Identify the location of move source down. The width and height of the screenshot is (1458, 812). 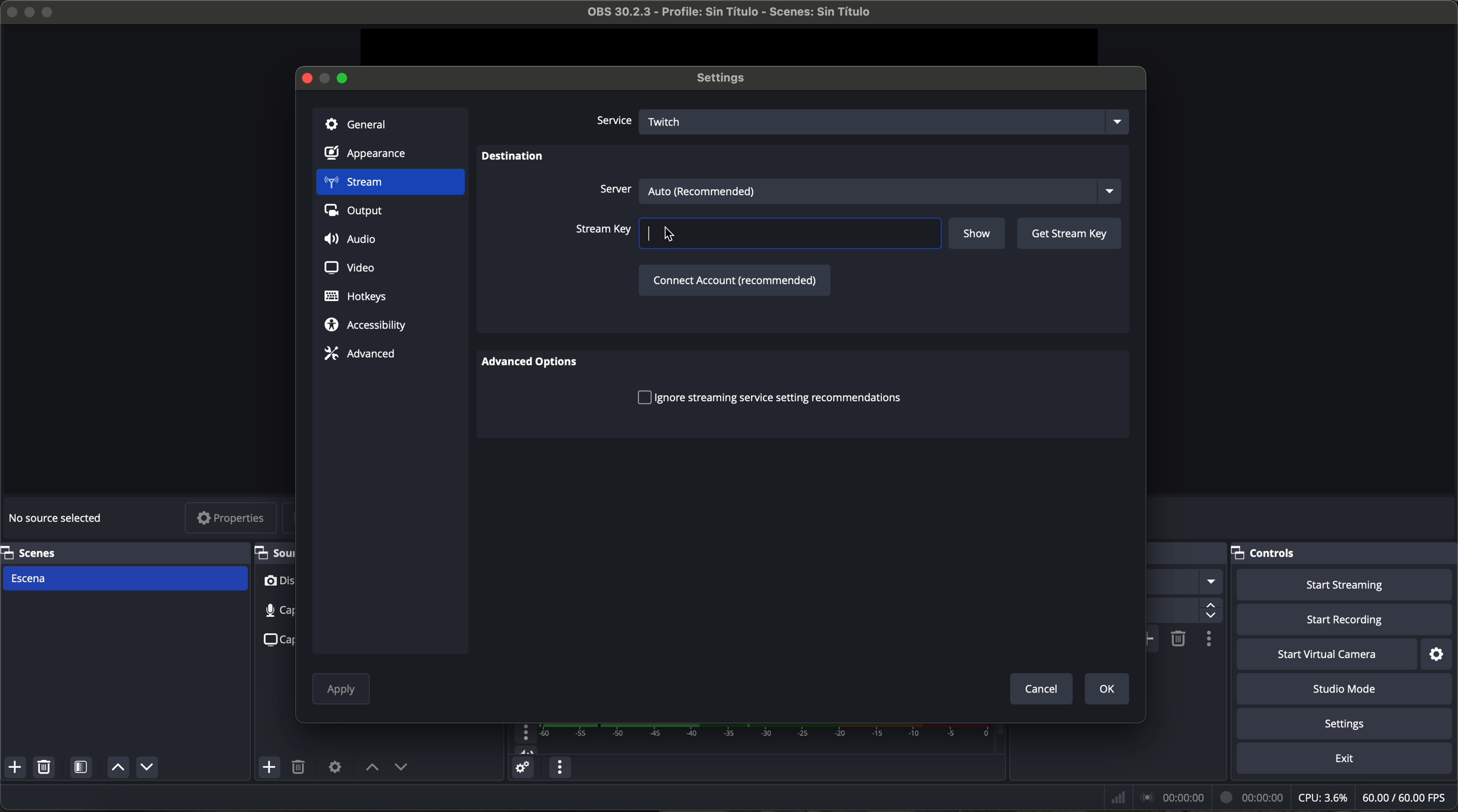
(147, 767).